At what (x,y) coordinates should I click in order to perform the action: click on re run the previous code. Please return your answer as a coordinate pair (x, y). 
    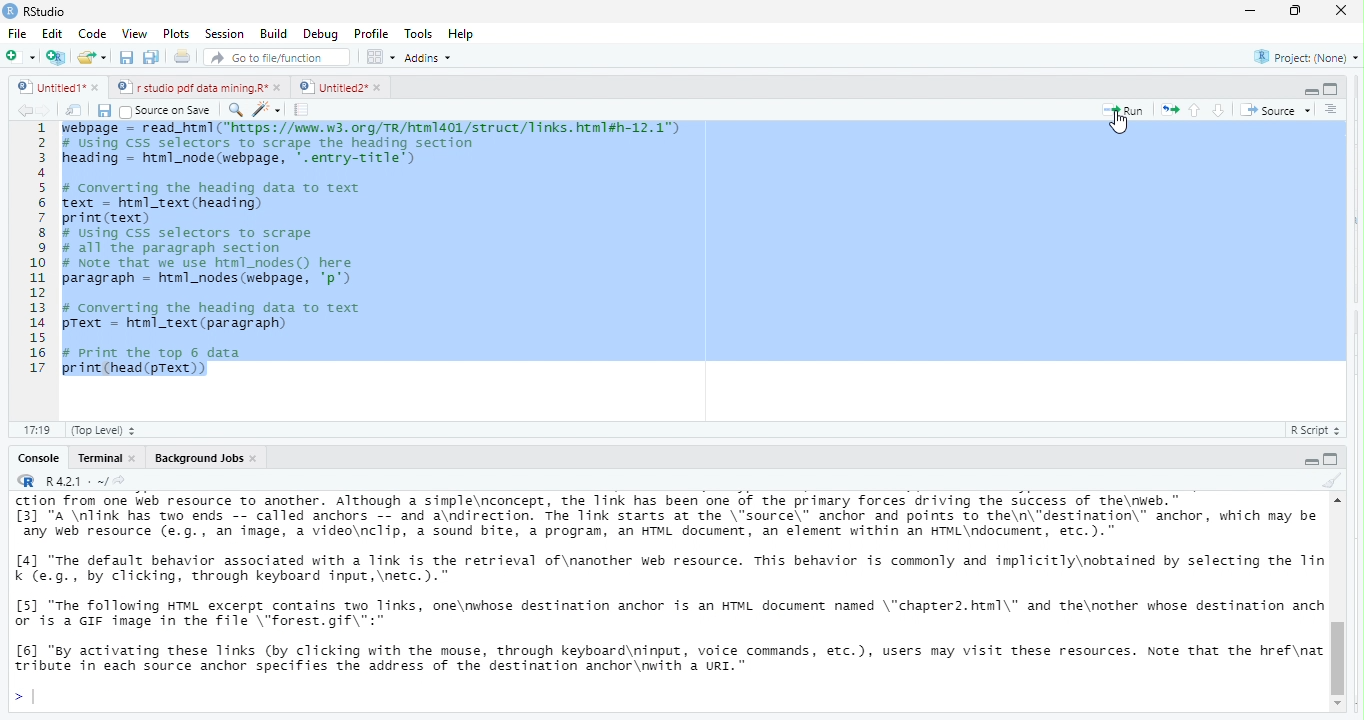
    Looking at the image, I should click on (1172, 110).